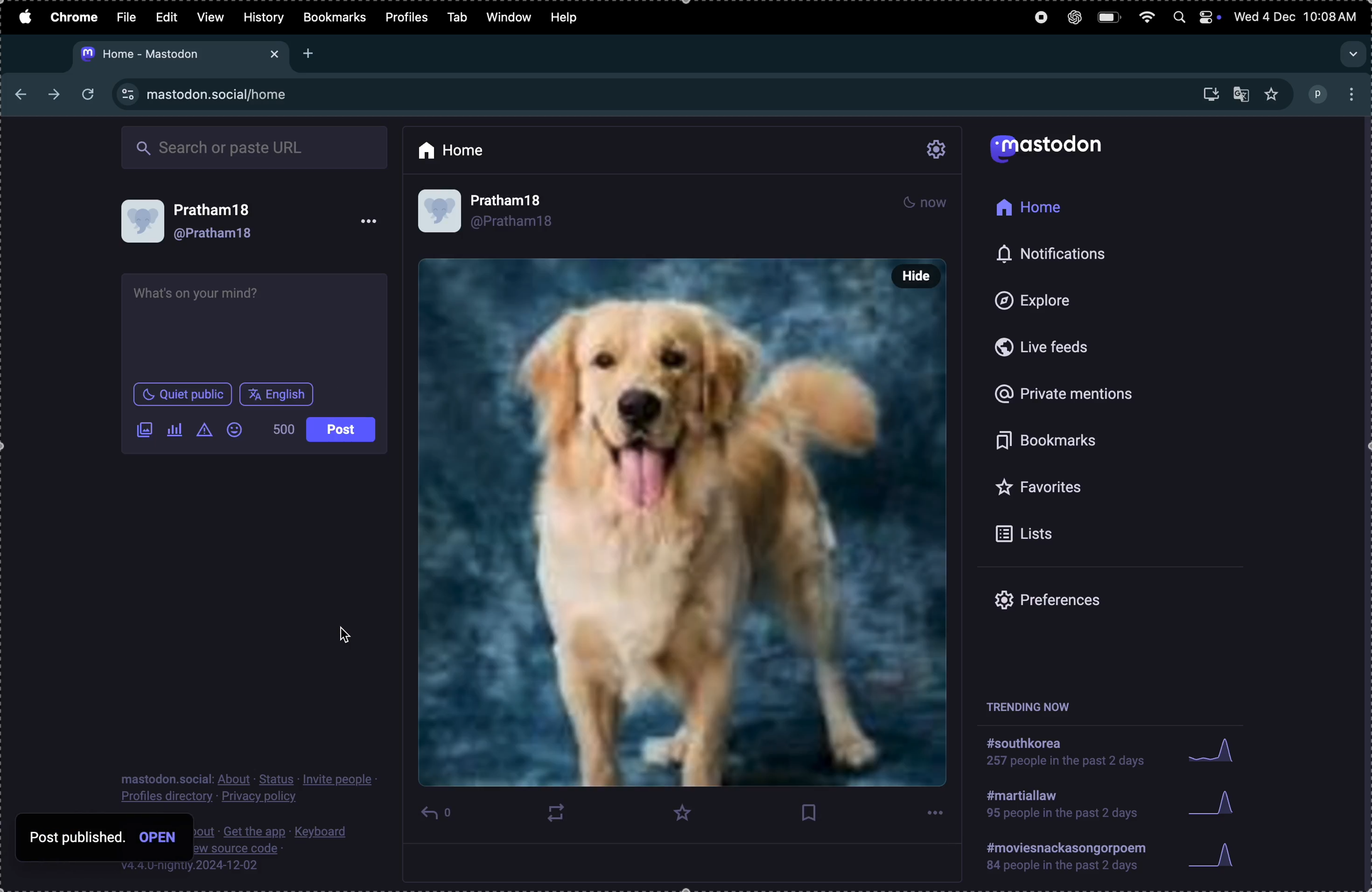  Describe the element at coordinates (1298, 18) in the screenshot. I see `date and time` at that location.